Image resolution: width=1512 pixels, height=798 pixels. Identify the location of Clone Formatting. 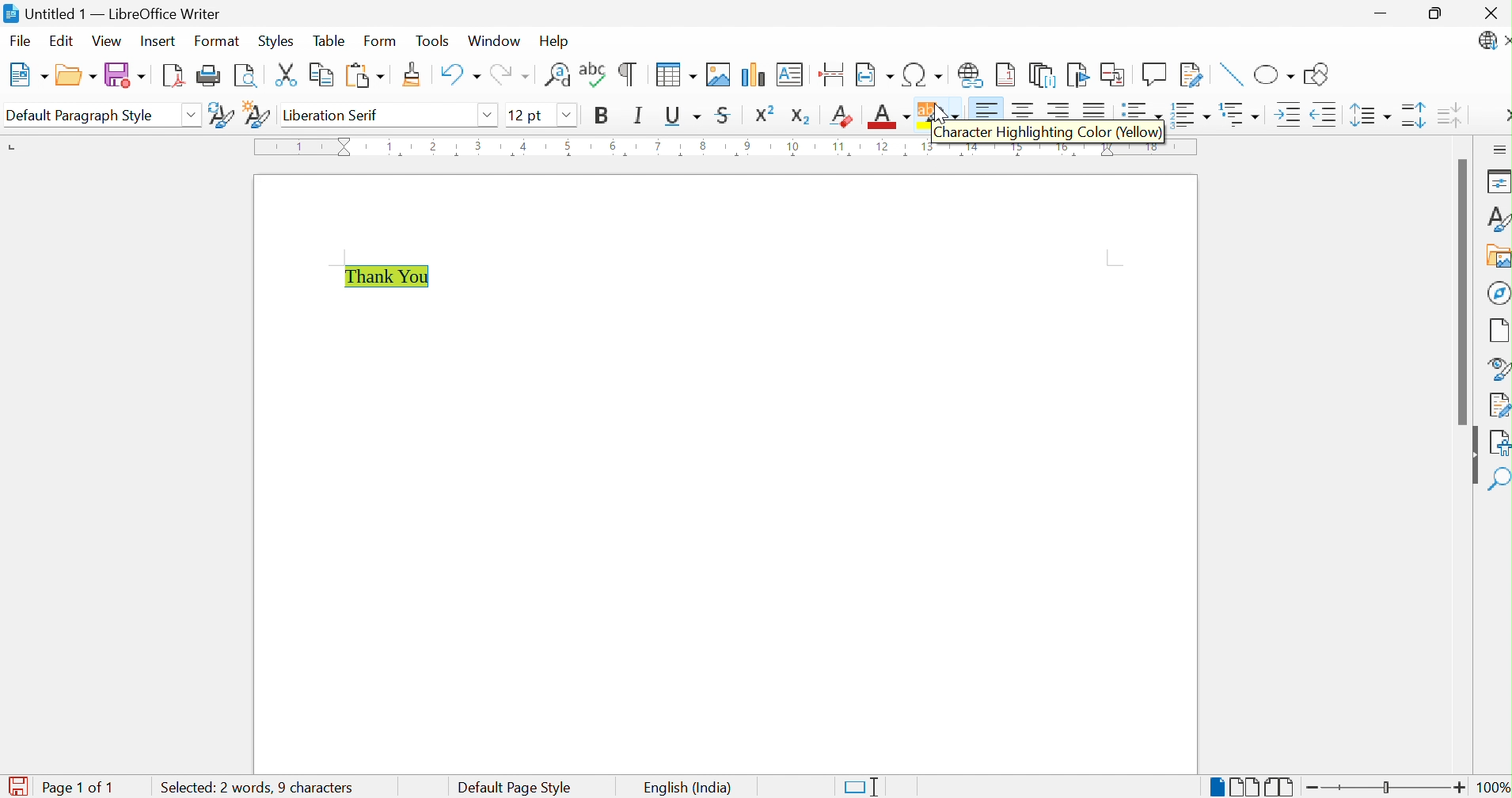
(412, 74).